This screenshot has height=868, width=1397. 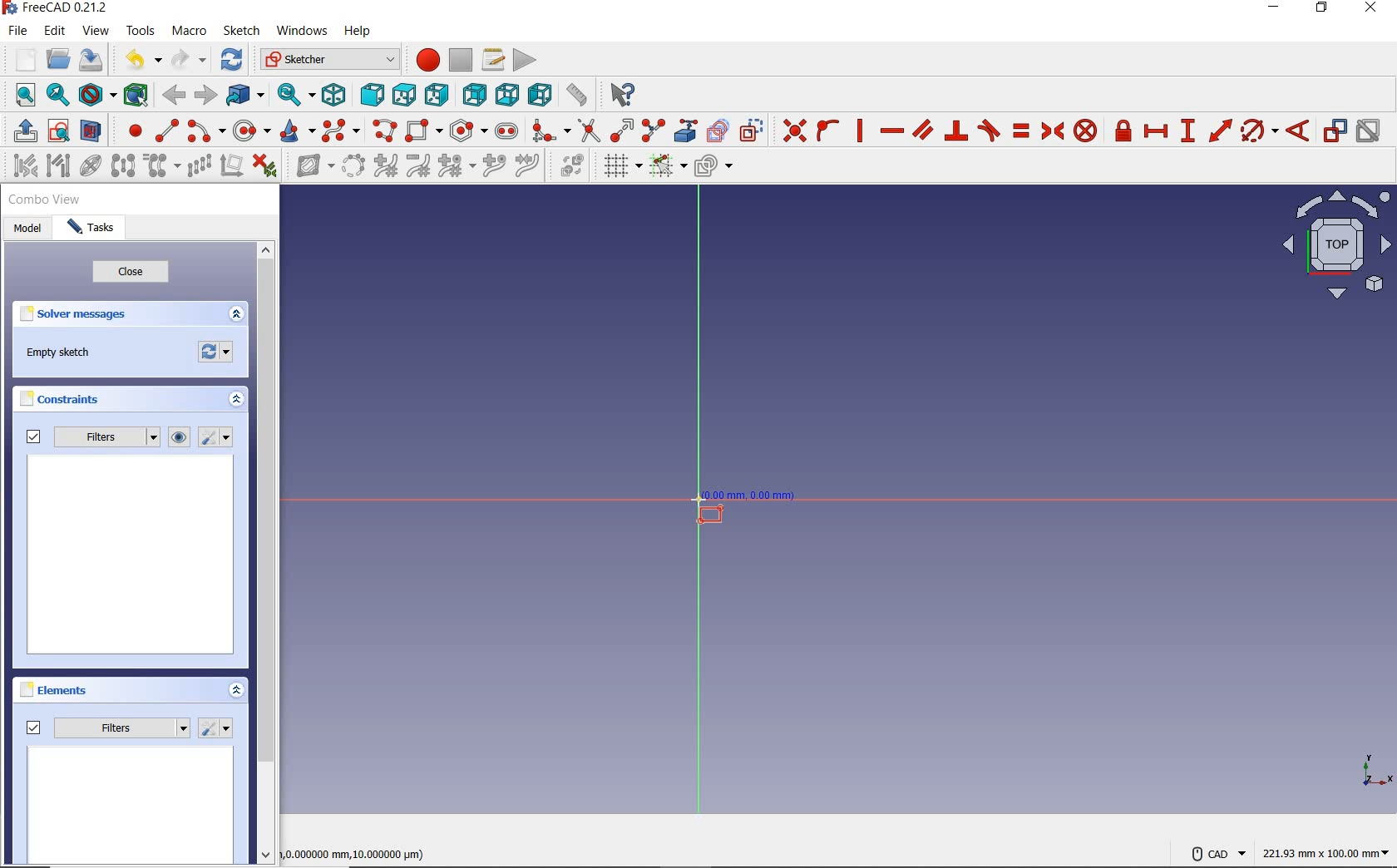 What do you see at coordinates (1375, 9) in the screenshot?
I see `close` at bounding box center [1375, 9].